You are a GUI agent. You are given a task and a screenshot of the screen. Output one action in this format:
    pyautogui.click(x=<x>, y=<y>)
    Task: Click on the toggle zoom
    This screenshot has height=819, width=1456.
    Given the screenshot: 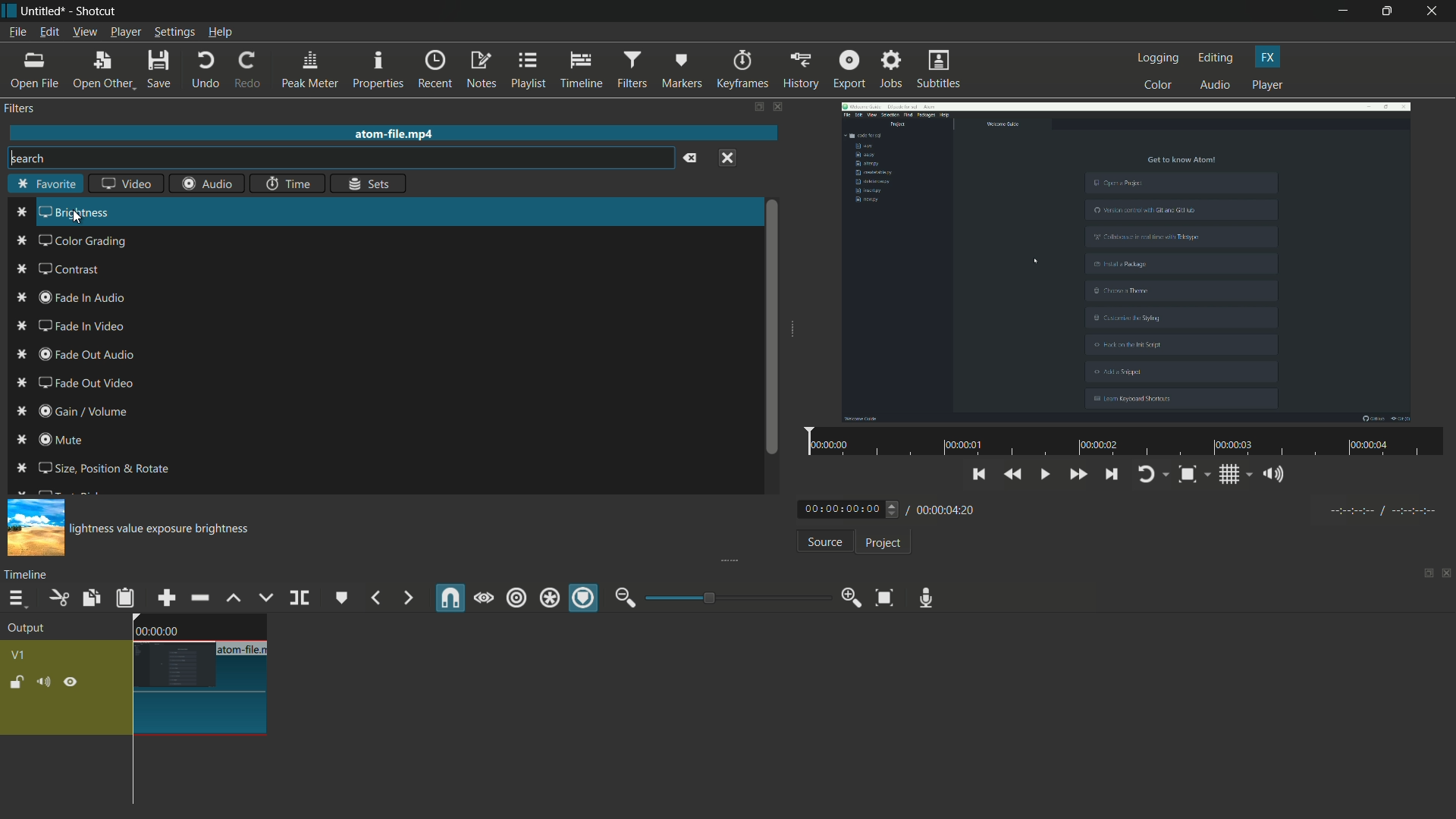 What is the action you would take?
    pyautogui.click(x=1193, y=475)
    